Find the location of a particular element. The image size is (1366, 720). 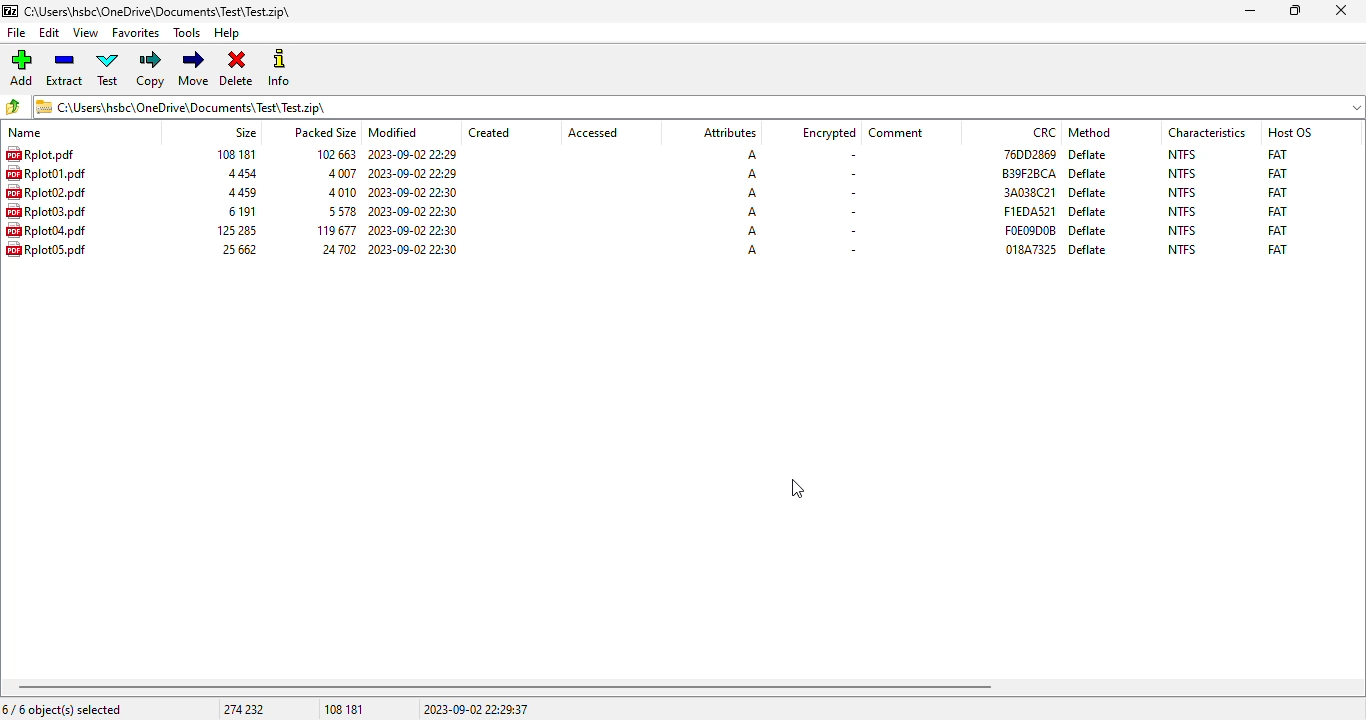

.zip archive is located at coordinates (157, 11).